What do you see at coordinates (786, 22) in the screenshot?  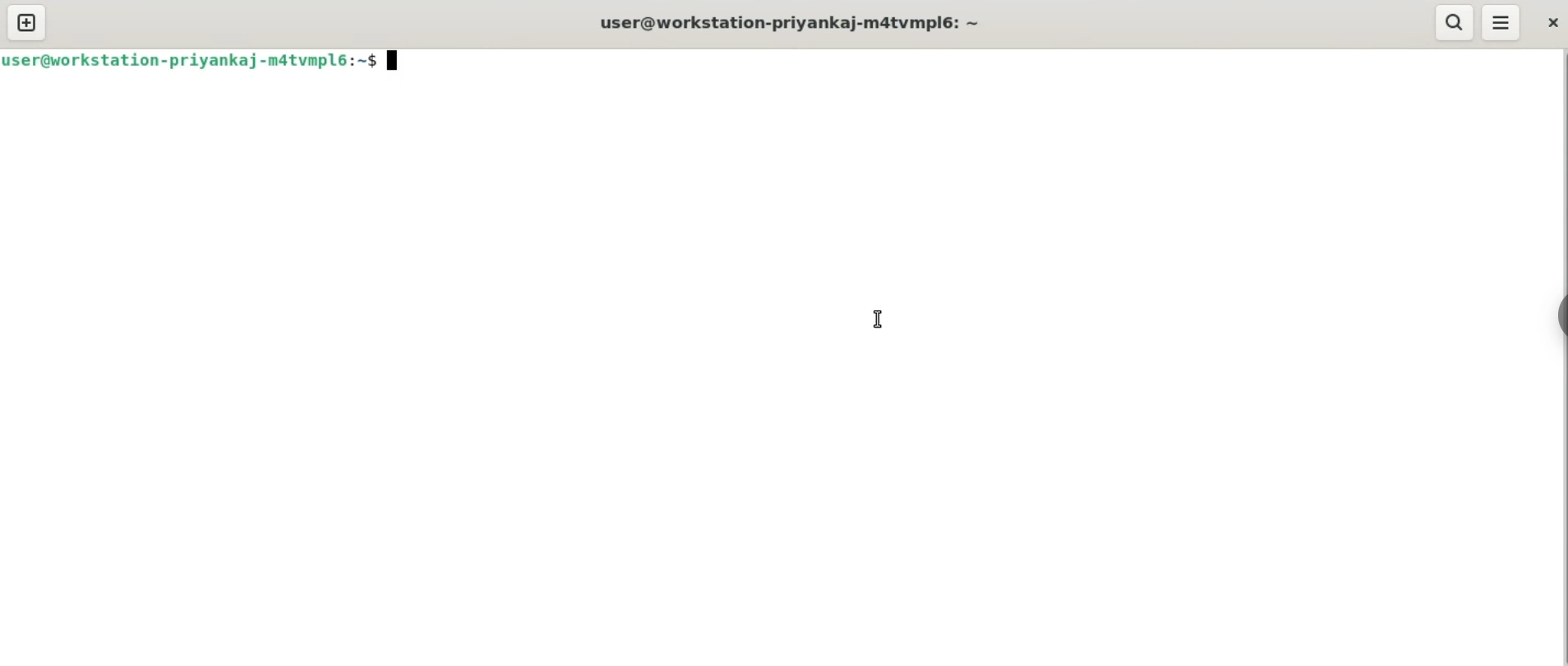 I see ` user@workstation-priyanka-m4tvmpl6:~` at bounding box center [786, 22].